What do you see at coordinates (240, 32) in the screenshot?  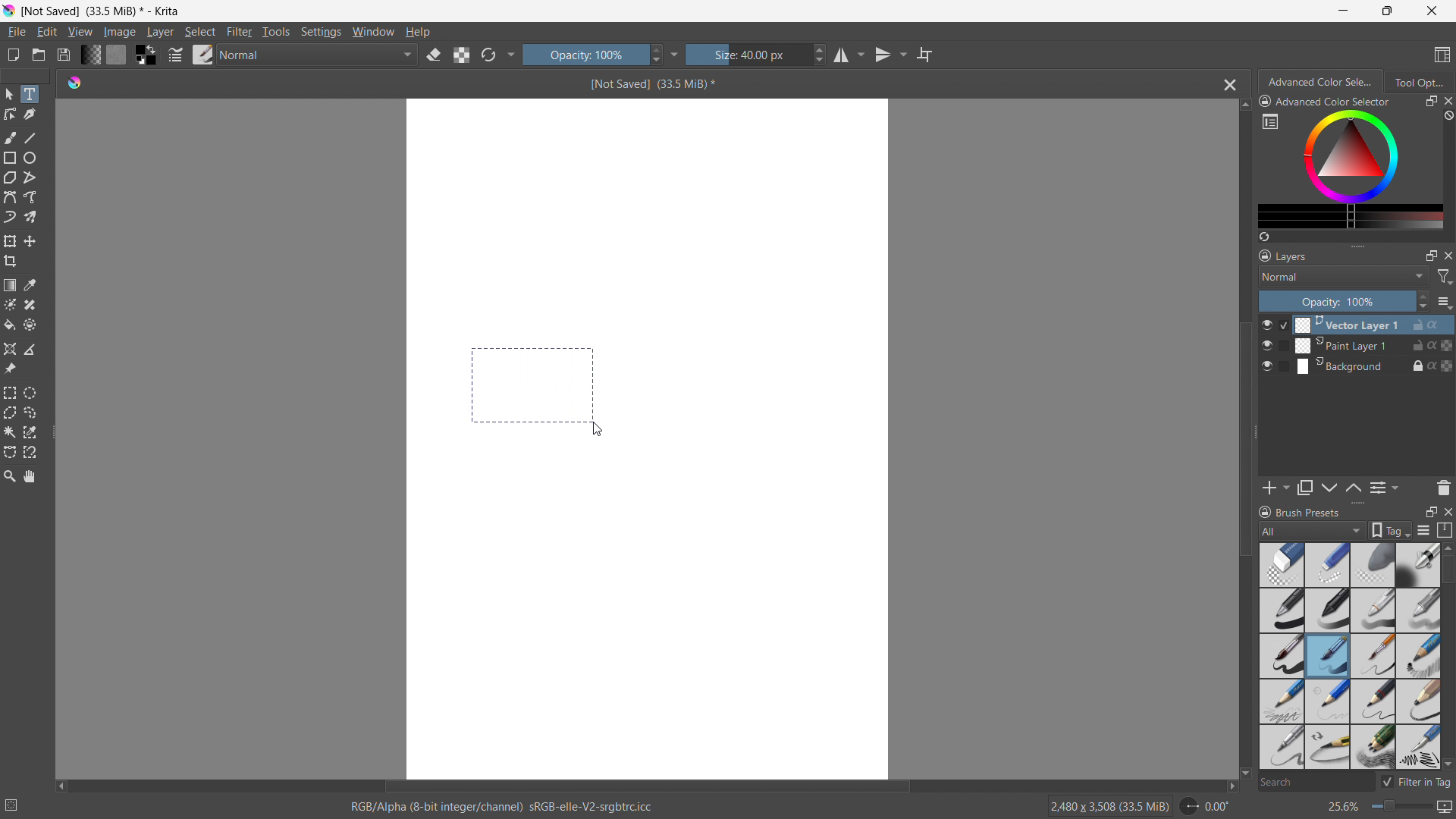 I see `filter` at bounding box center [240, 32].